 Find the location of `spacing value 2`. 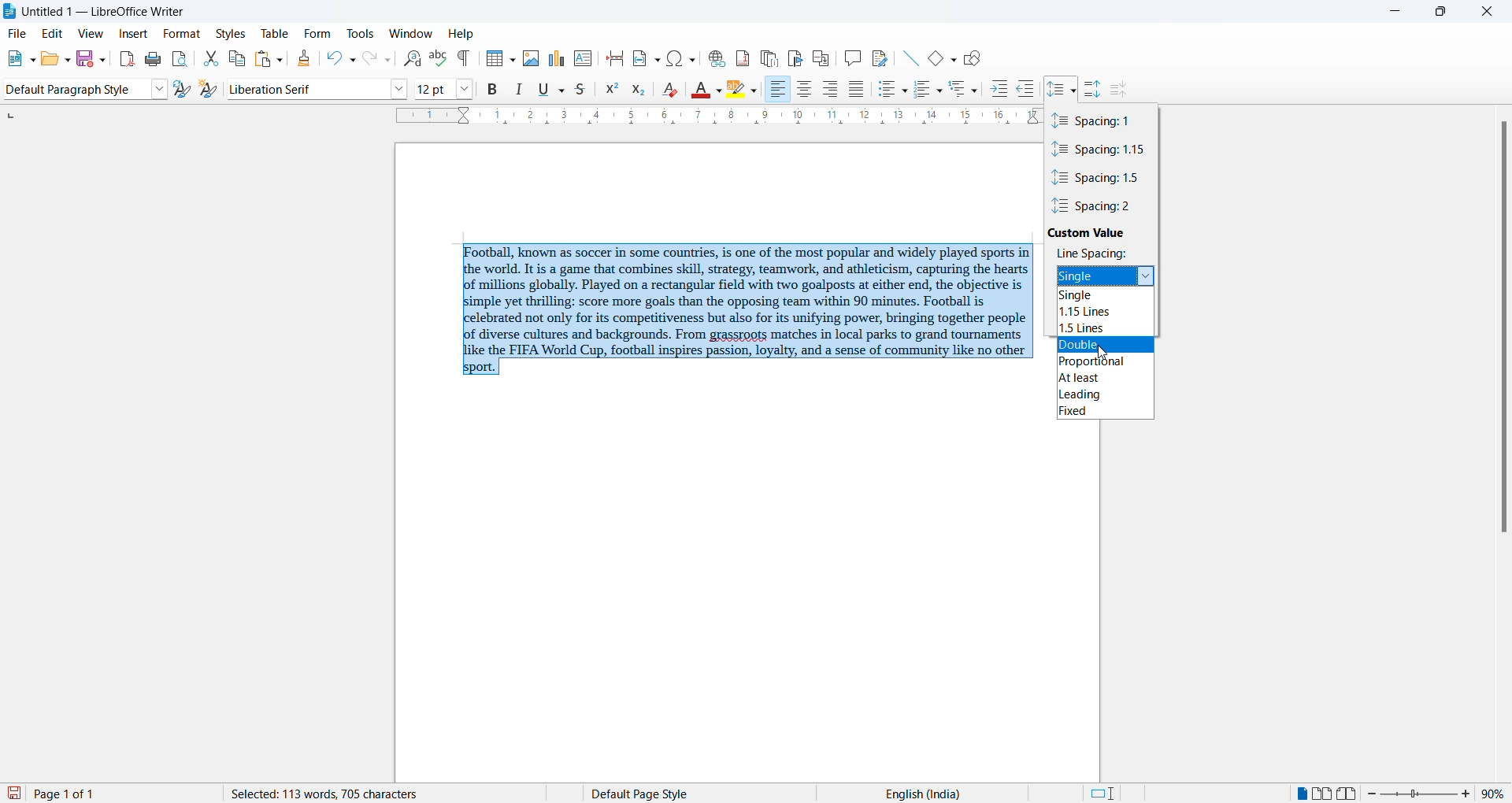

spacing value 2 is located at coordinates (1100, 206).